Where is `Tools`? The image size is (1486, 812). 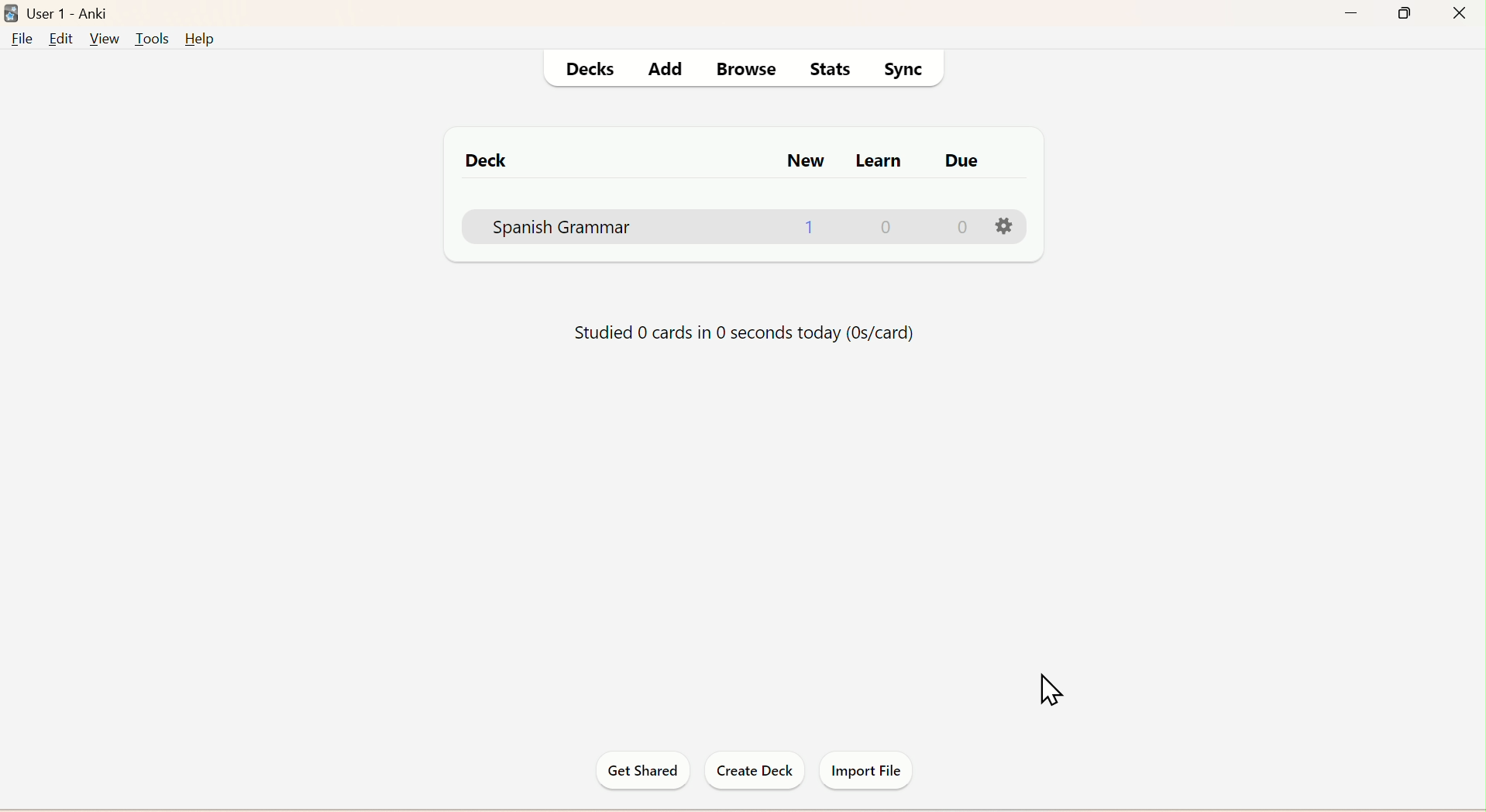
Tools is located at coordinates (148, 40).